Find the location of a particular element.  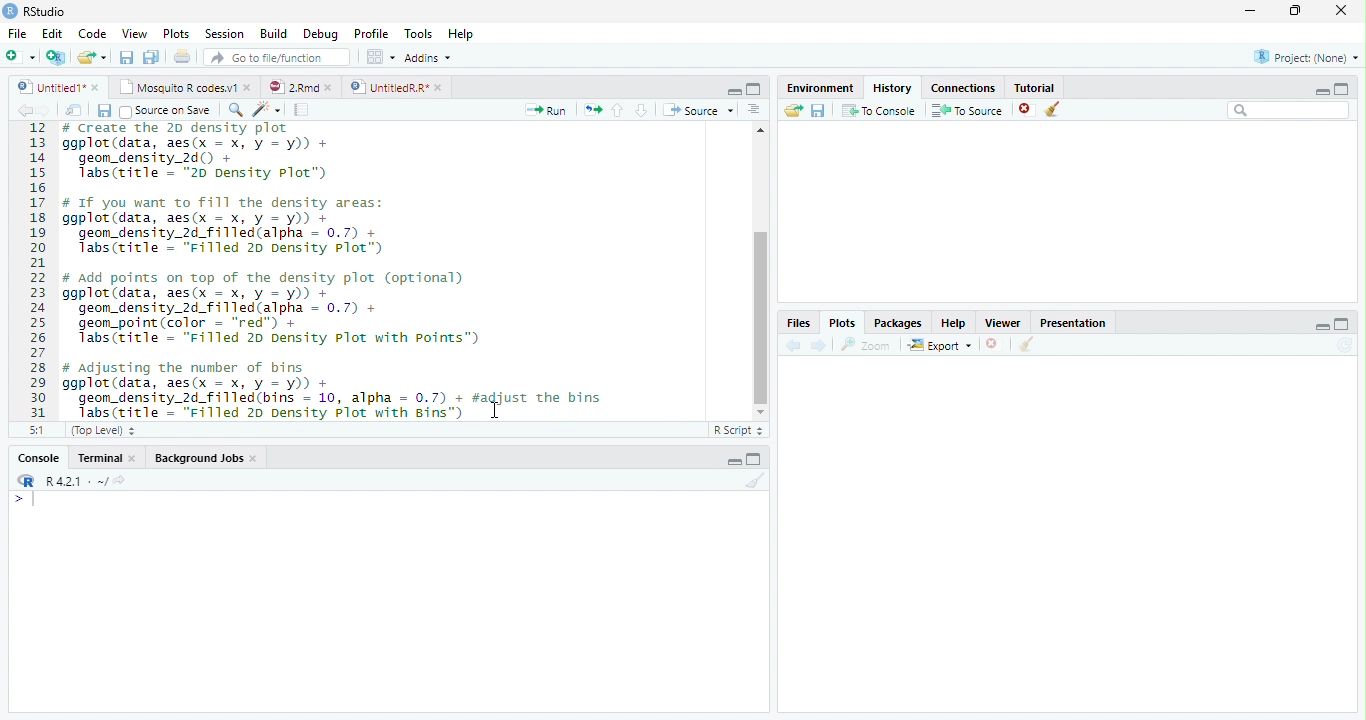

Terminal is located at coordinates (99, 458).